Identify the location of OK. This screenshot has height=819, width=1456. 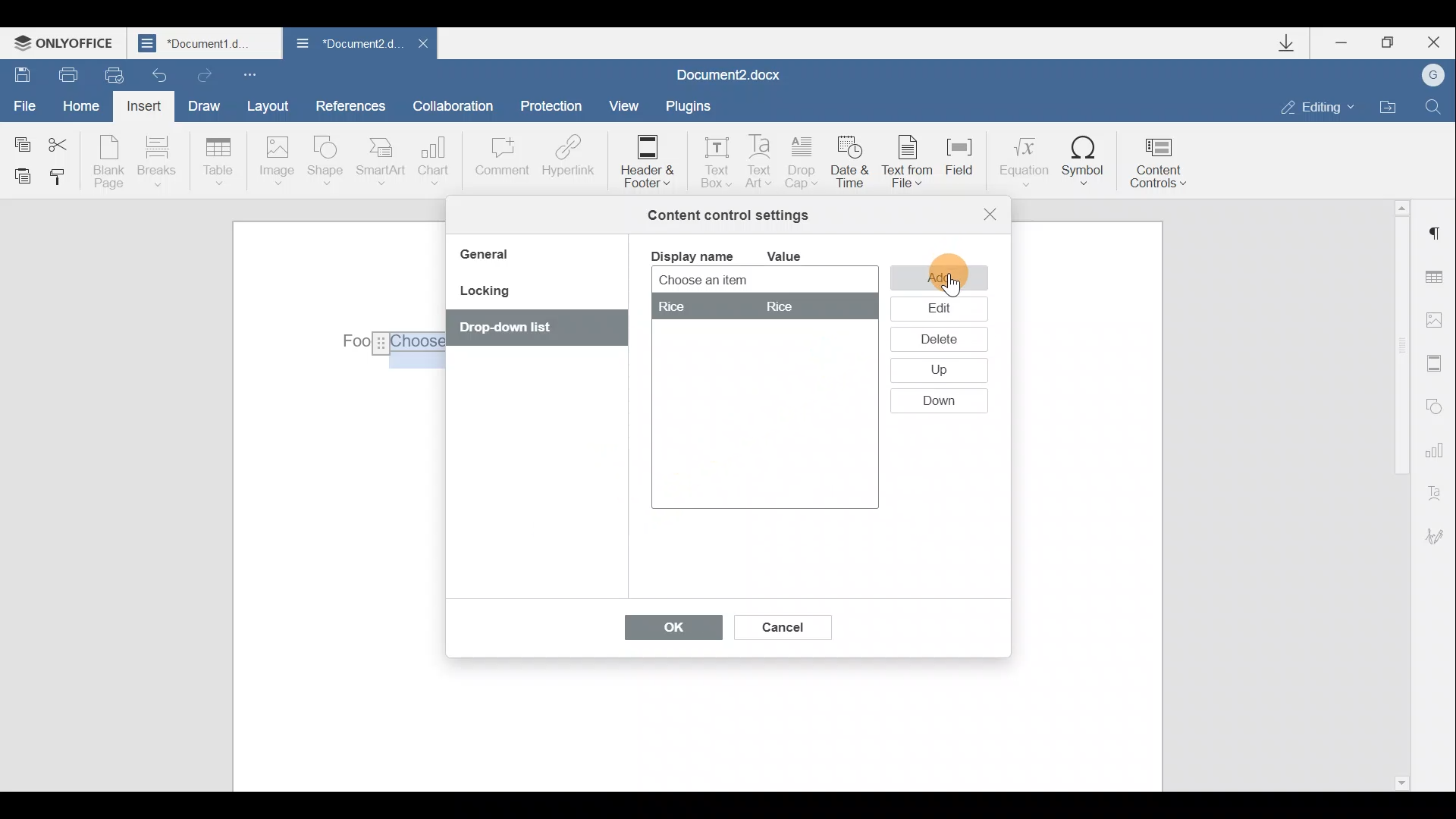
(666, 631).